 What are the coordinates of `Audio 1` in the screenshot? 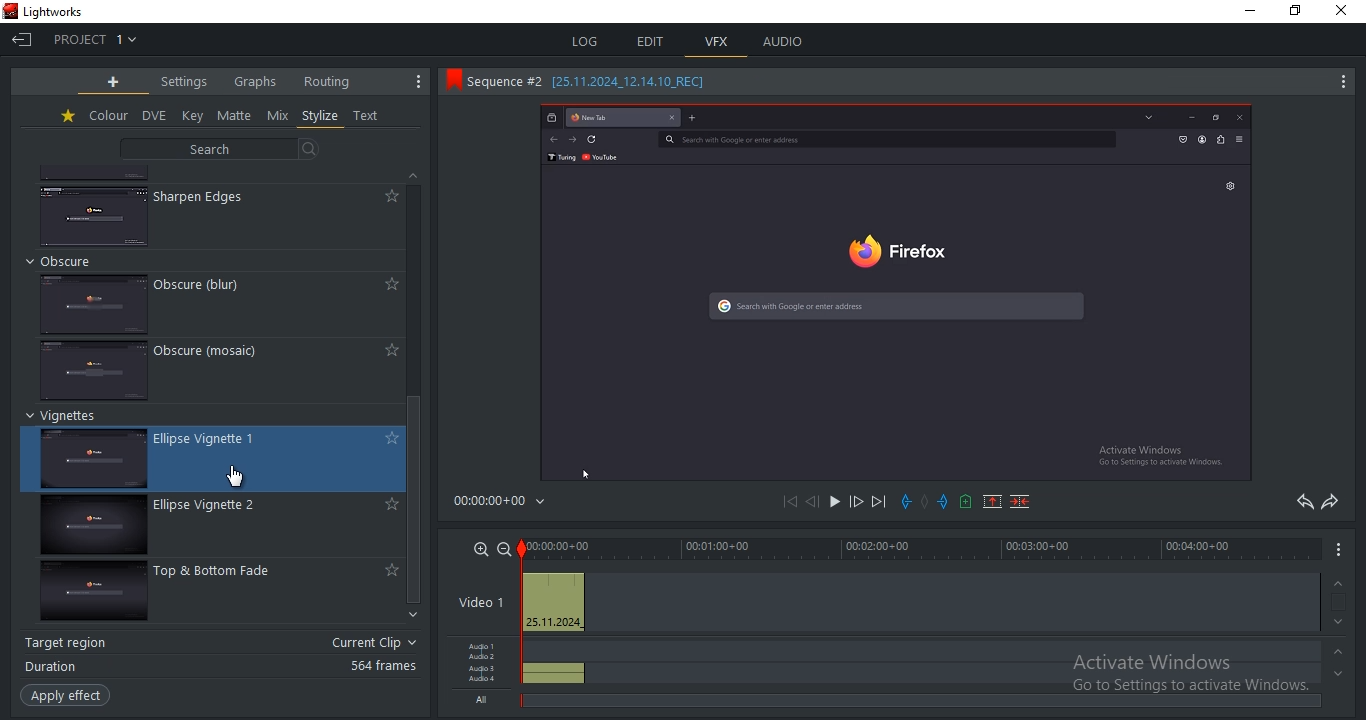 It's located at (486, 644).